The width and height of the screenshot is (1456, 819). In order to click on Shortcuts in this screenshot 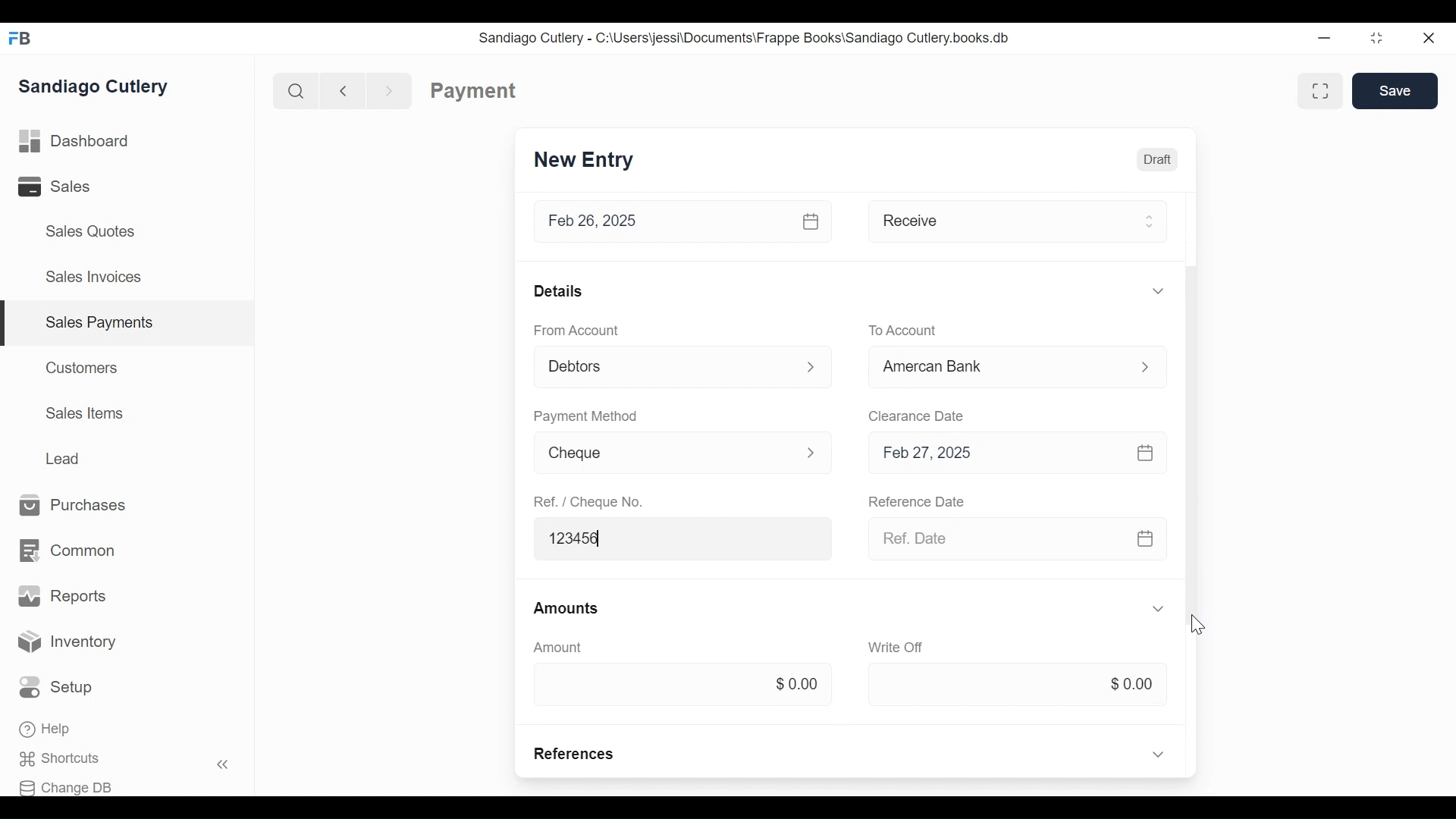, I will do `click(69, 759)`.